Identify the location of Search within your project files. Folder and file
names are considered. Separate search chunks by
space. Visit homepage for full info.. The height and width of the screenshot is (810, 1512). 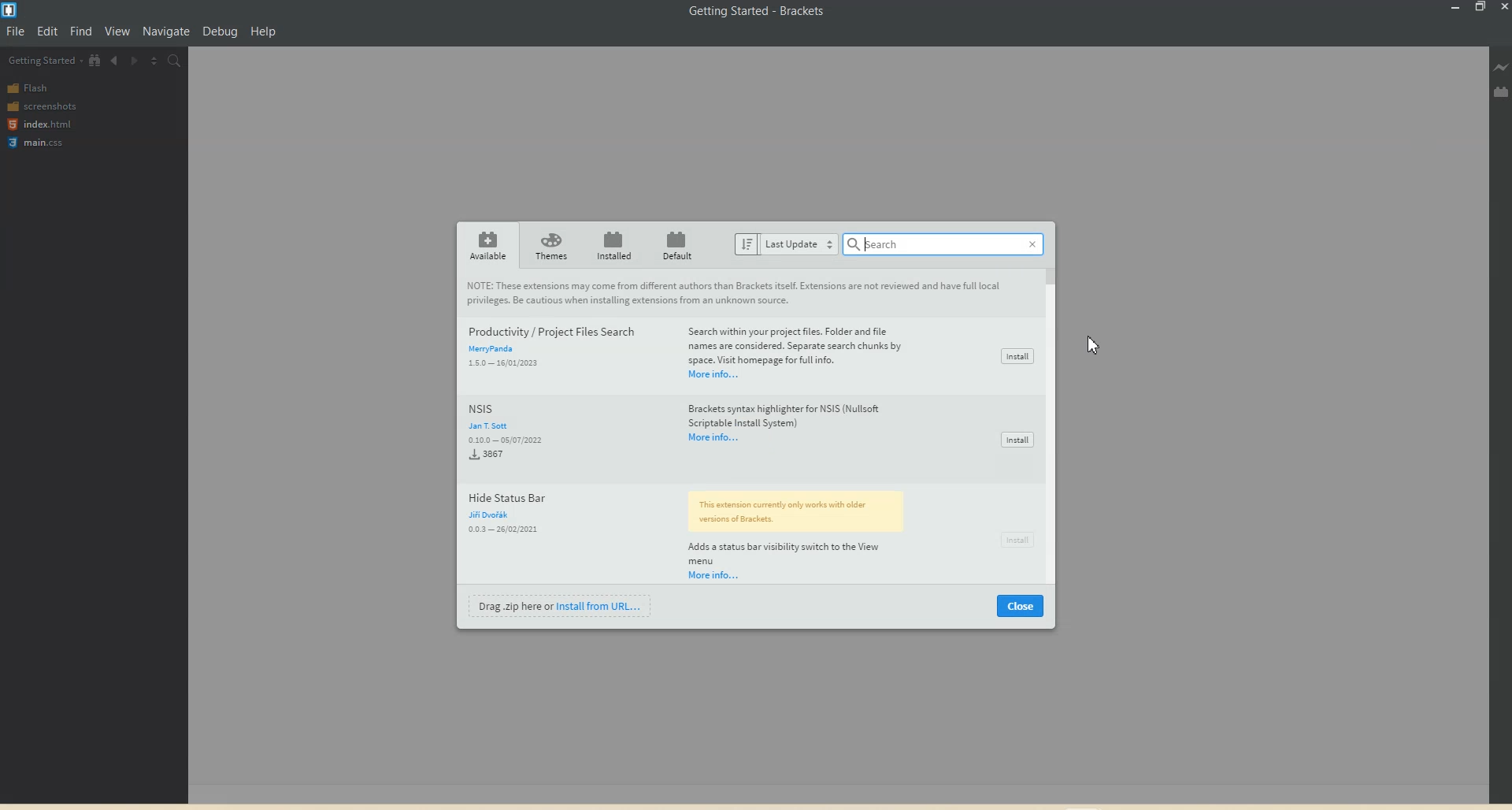
(798, 344).